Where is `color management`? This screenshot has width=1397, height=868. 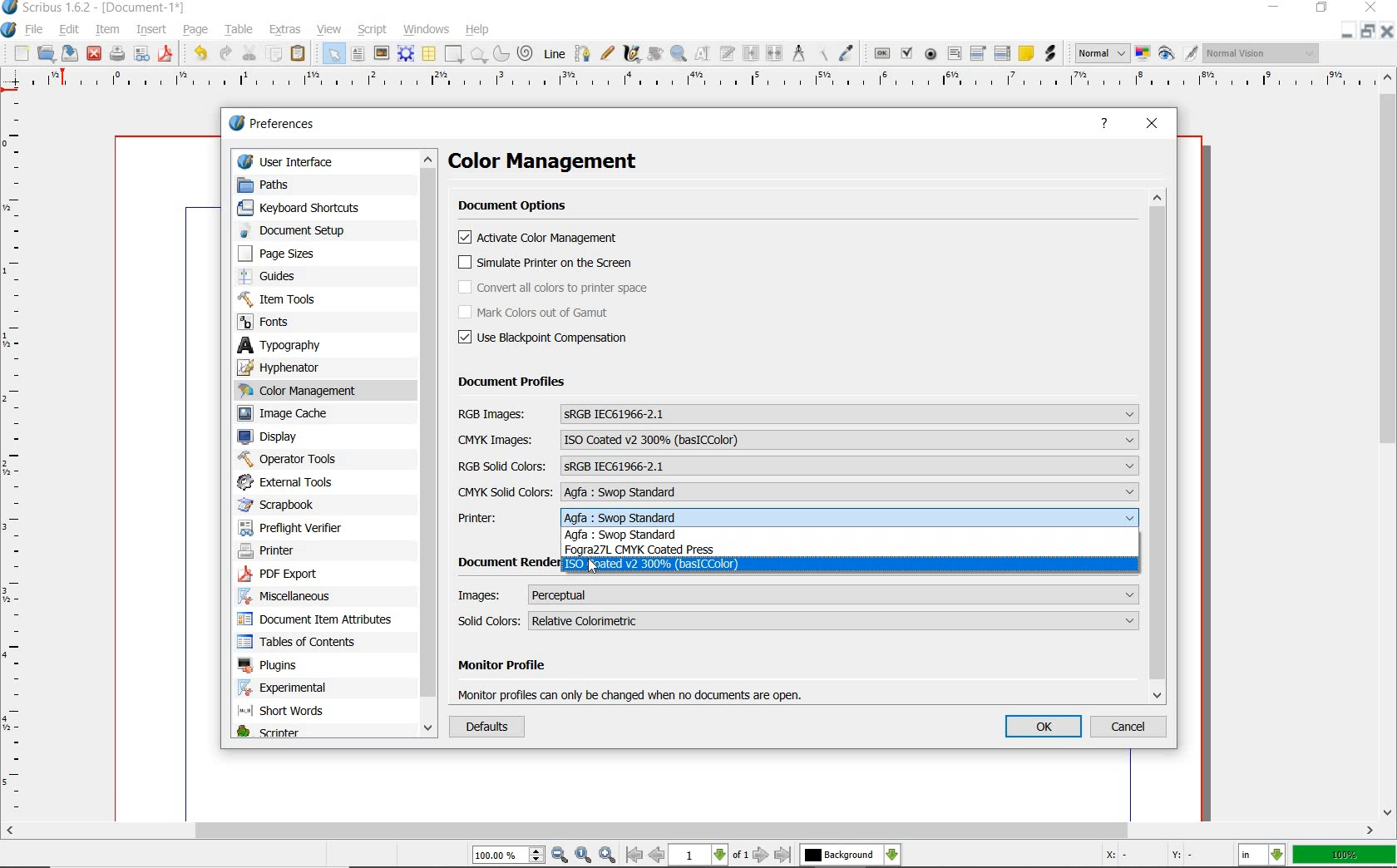
color management is located at coordinates (304, 390).